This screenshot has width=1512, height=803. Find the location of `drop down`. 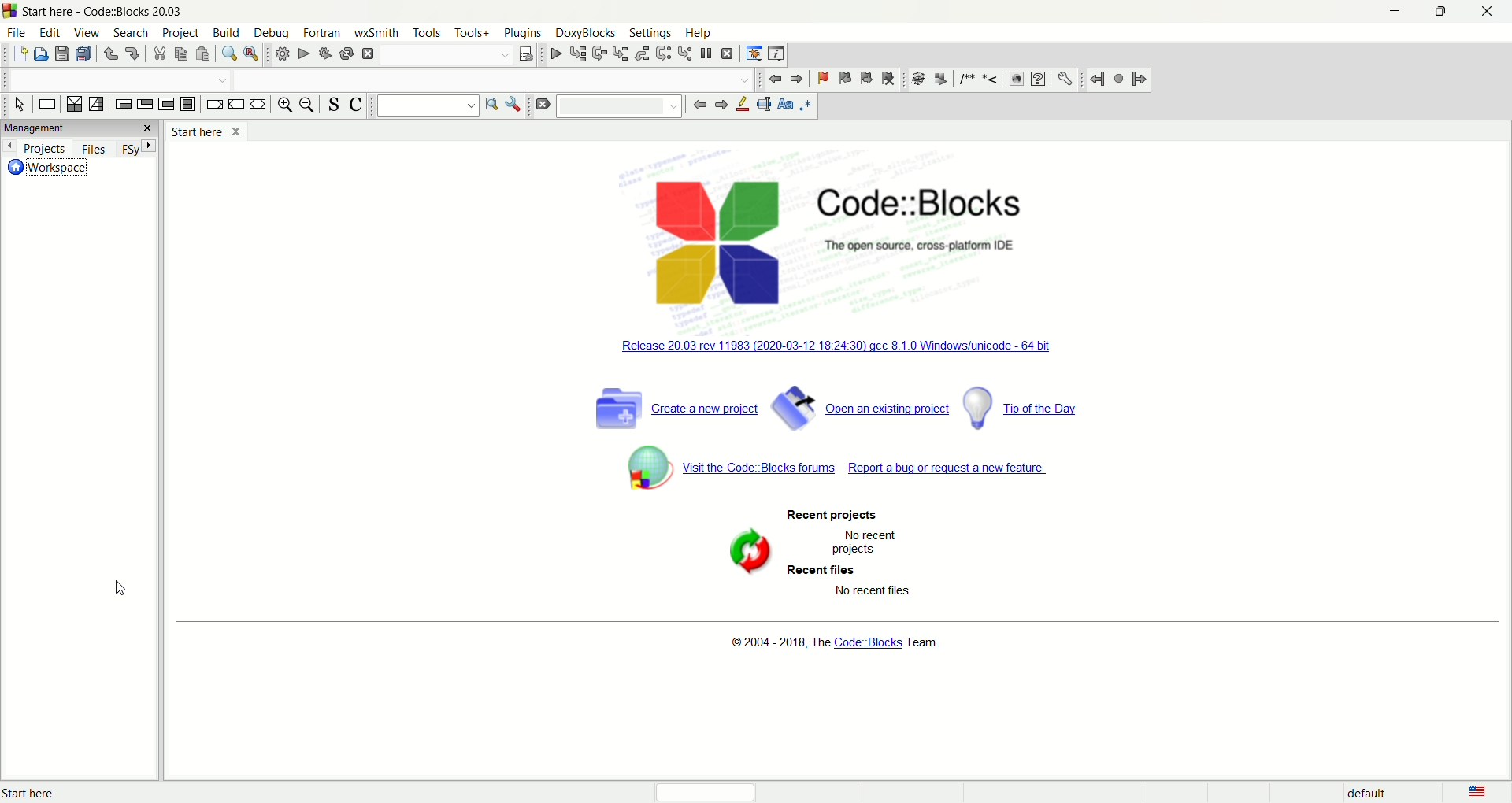

drop down is located at coordinates (119, 80).